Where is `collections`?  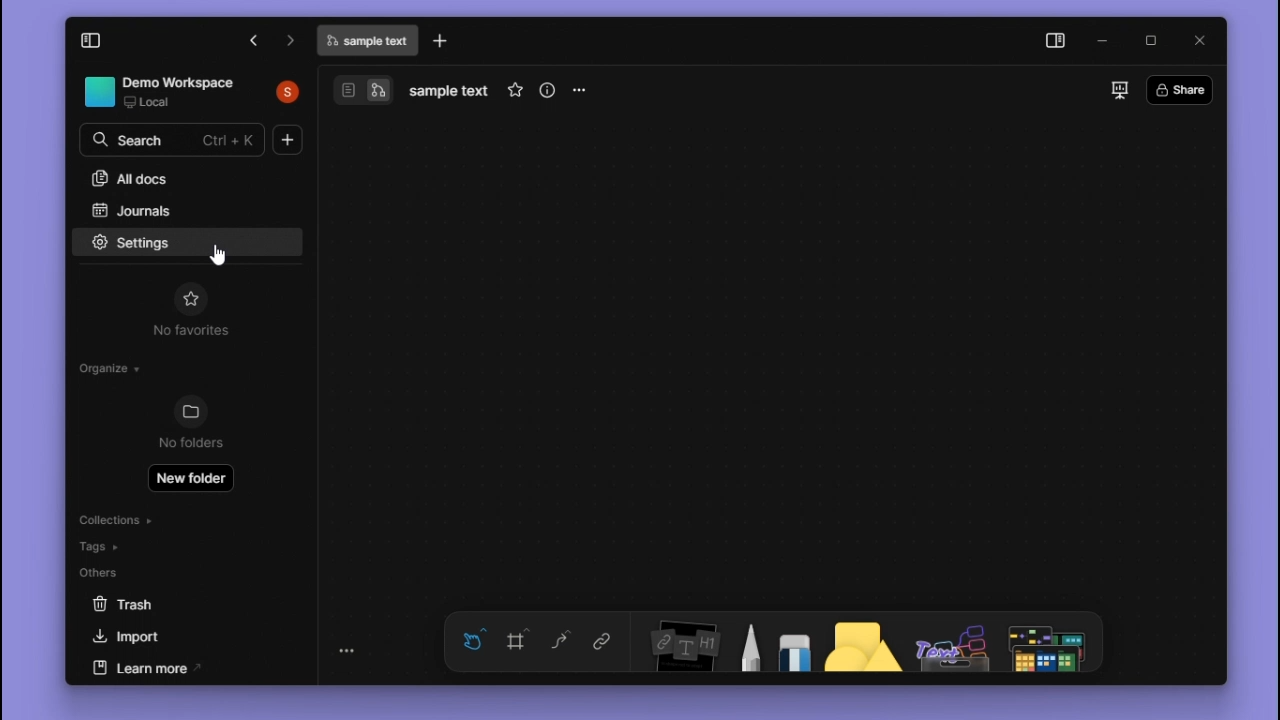 collections is located at coordinates (115, 518).